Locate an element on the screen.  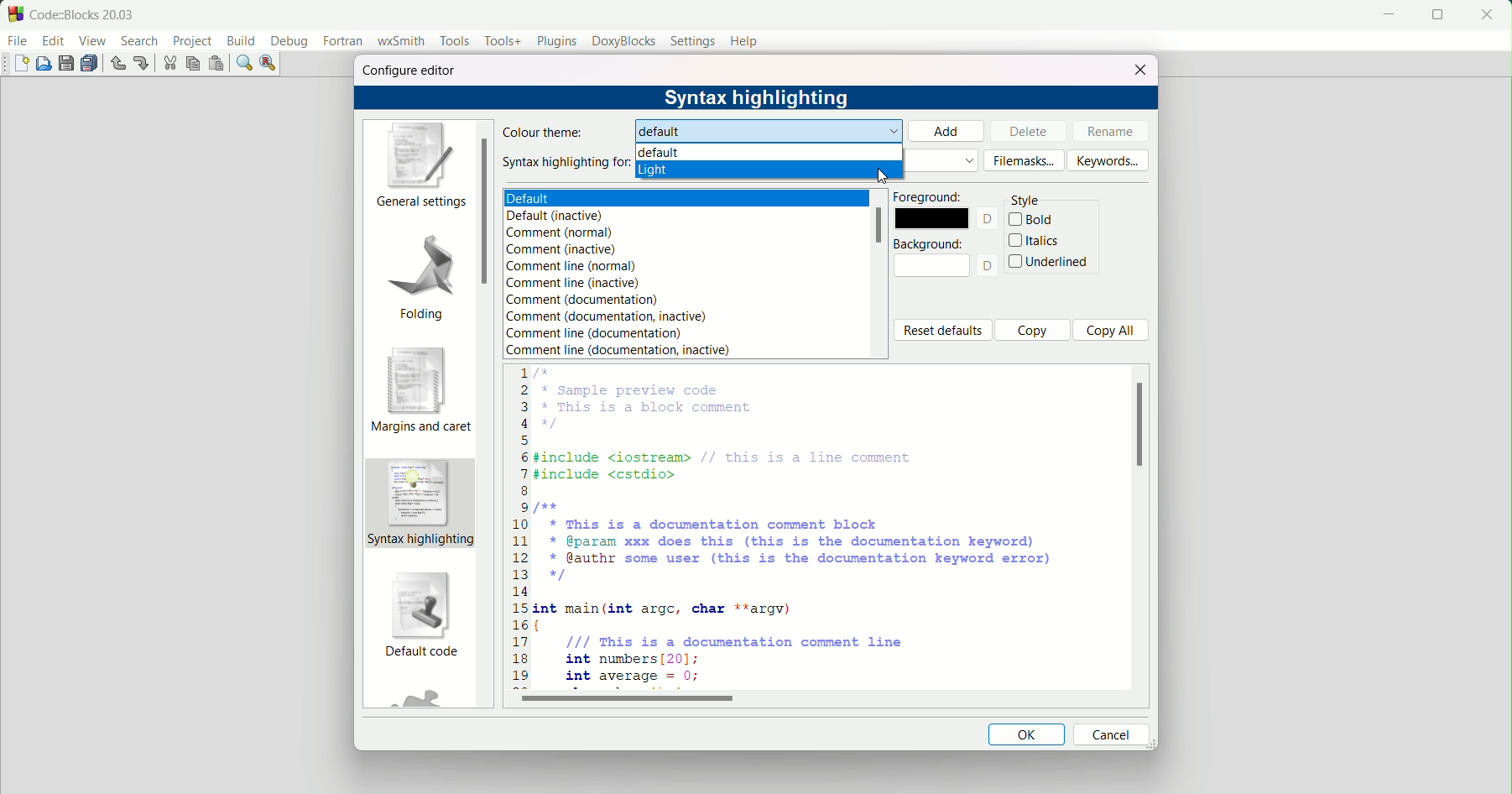
default code is located at coordinates (421, 616).